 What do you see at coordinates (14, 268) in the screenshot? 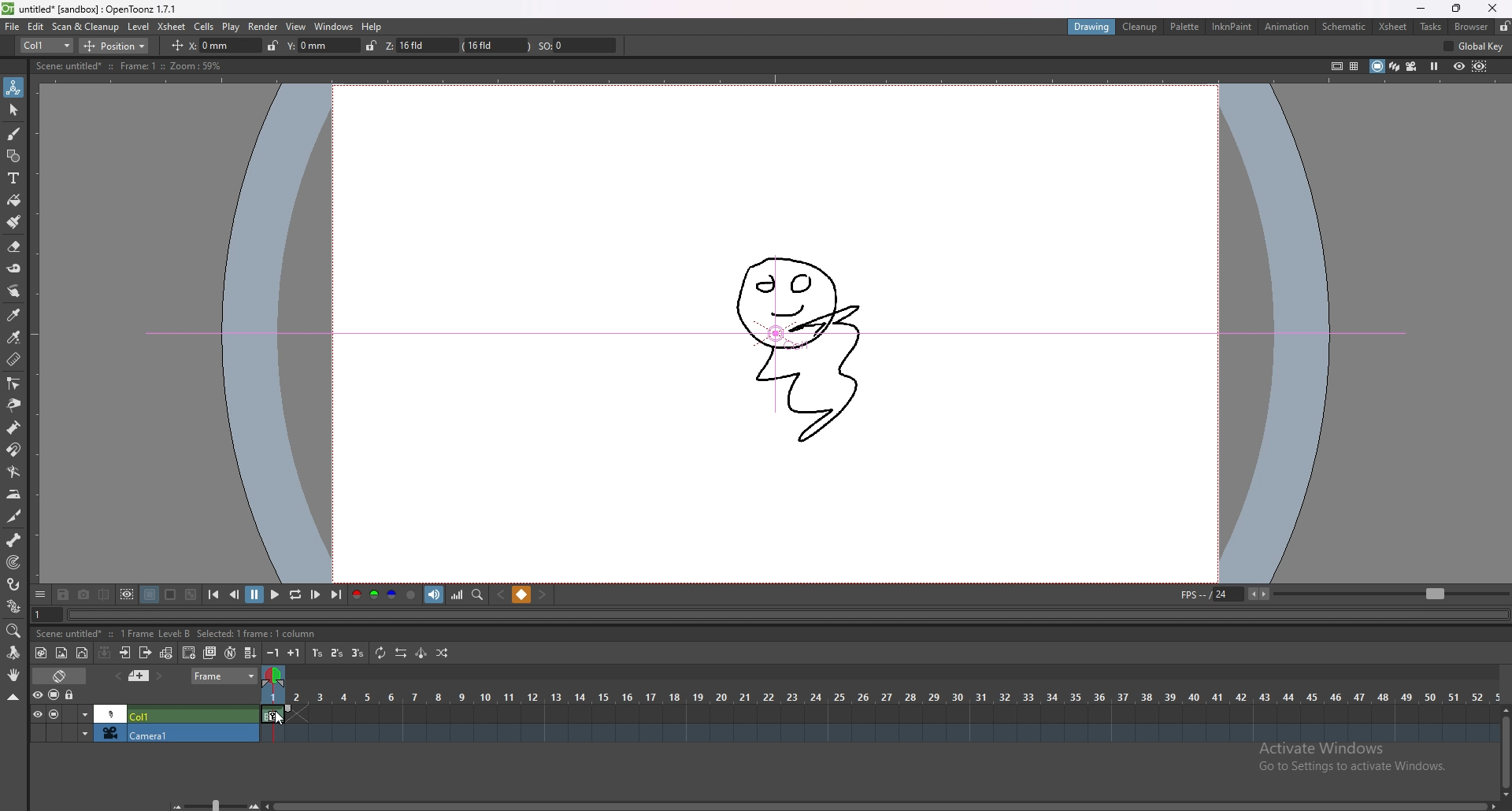
I see `tape` at bounding box center [14, 268].